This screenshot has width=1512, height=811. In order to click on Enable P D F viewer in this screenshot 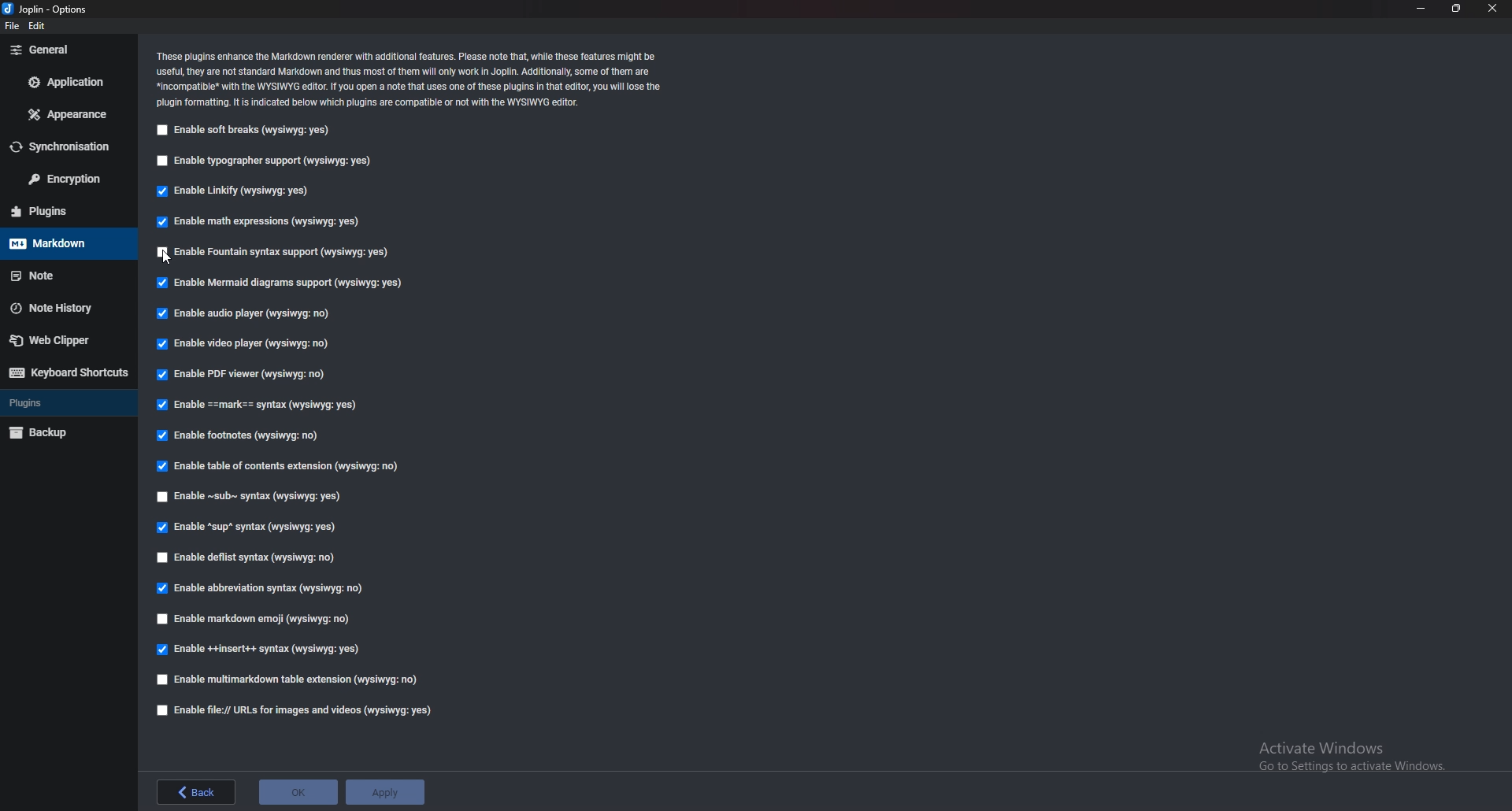, I will do `click(250, 373)`.